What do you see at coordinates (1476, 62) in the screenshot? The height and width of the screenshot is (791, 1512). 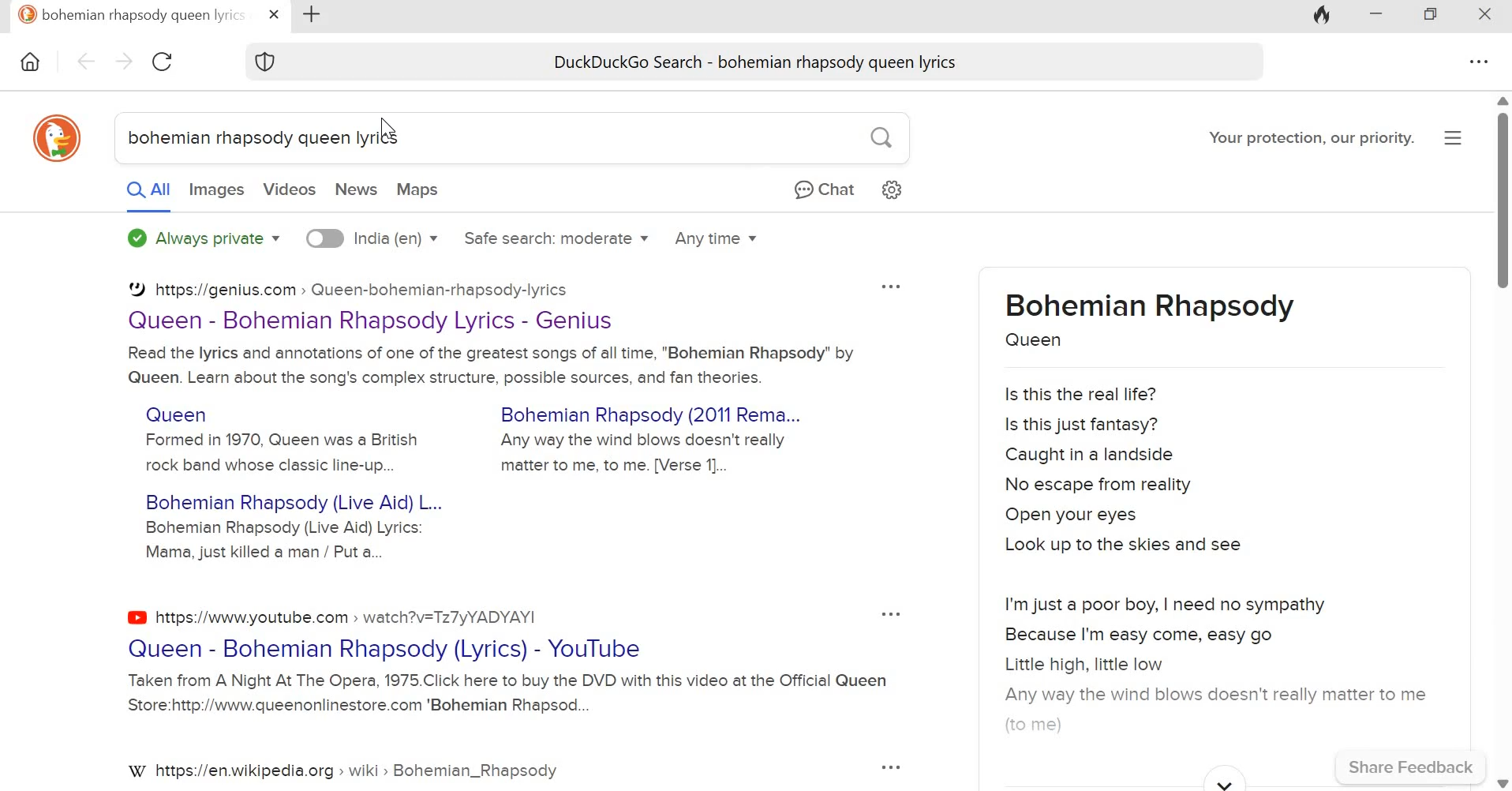 I see `settings` at bounding box center [1476, 62].